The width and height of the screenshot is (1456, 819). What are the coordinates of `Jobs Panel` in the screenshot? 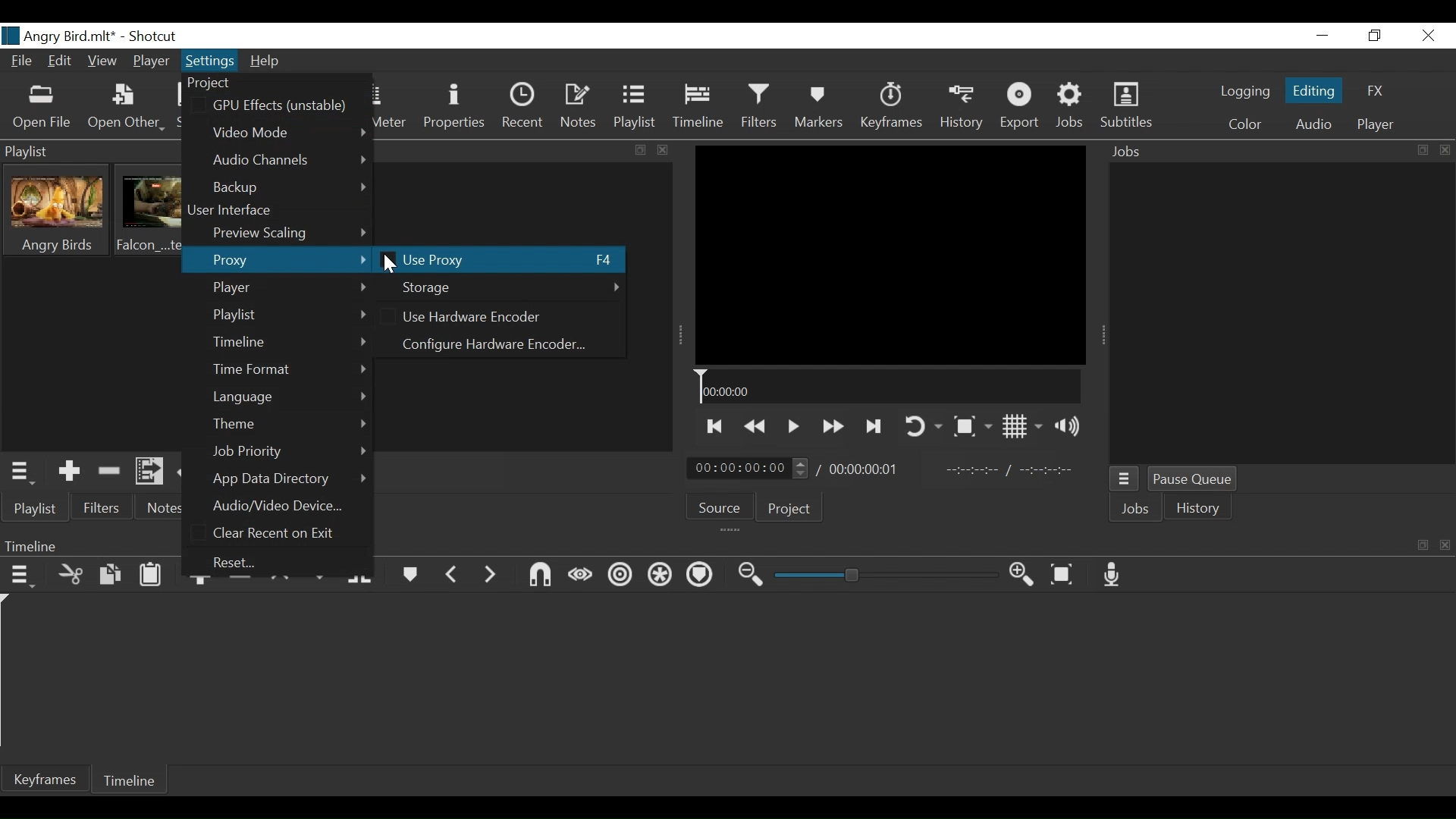 It's located at (1278, 152).